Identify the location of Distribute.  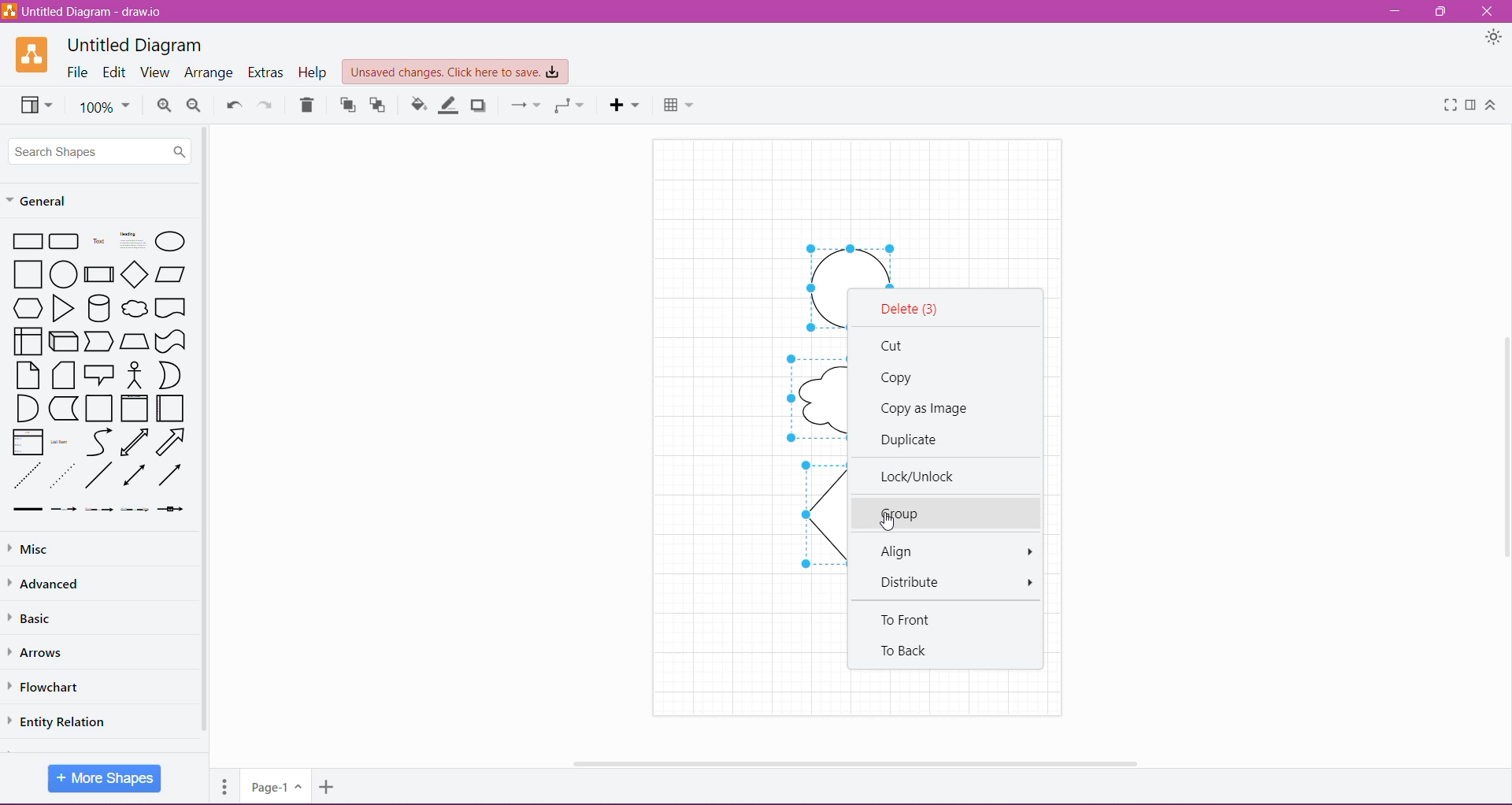
(955, 582).